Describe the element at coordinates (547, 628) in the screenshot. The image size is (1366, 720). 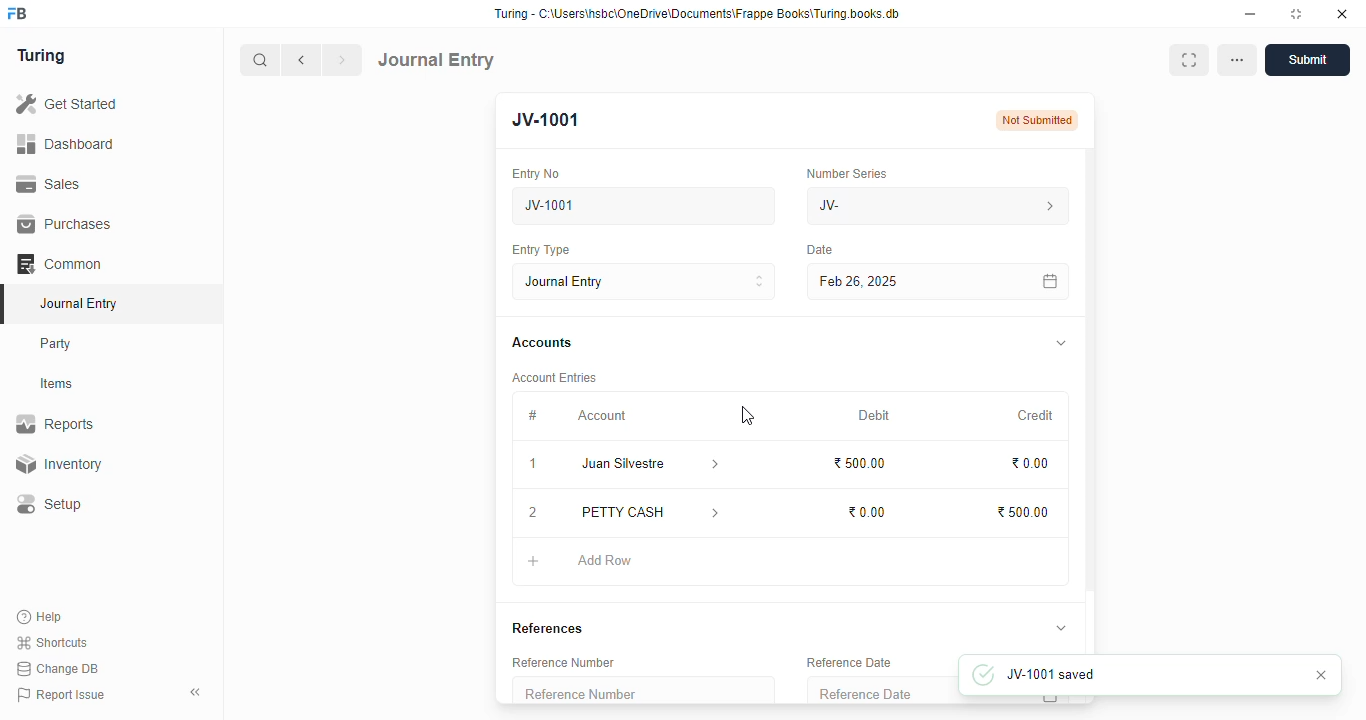
I see `references` at that location.